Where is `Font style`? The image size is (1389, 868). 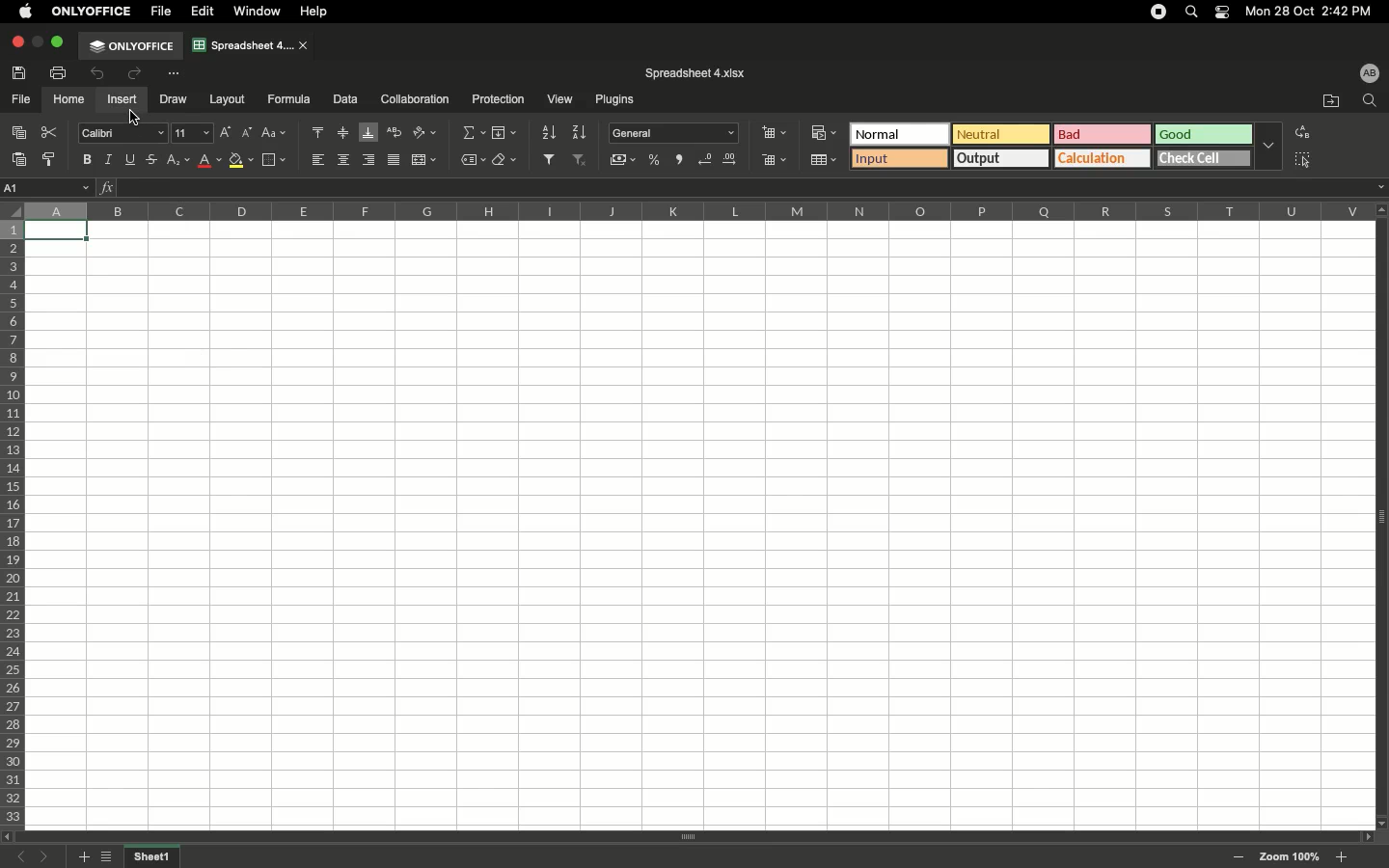 Font style is located at coordinates (124, 135).